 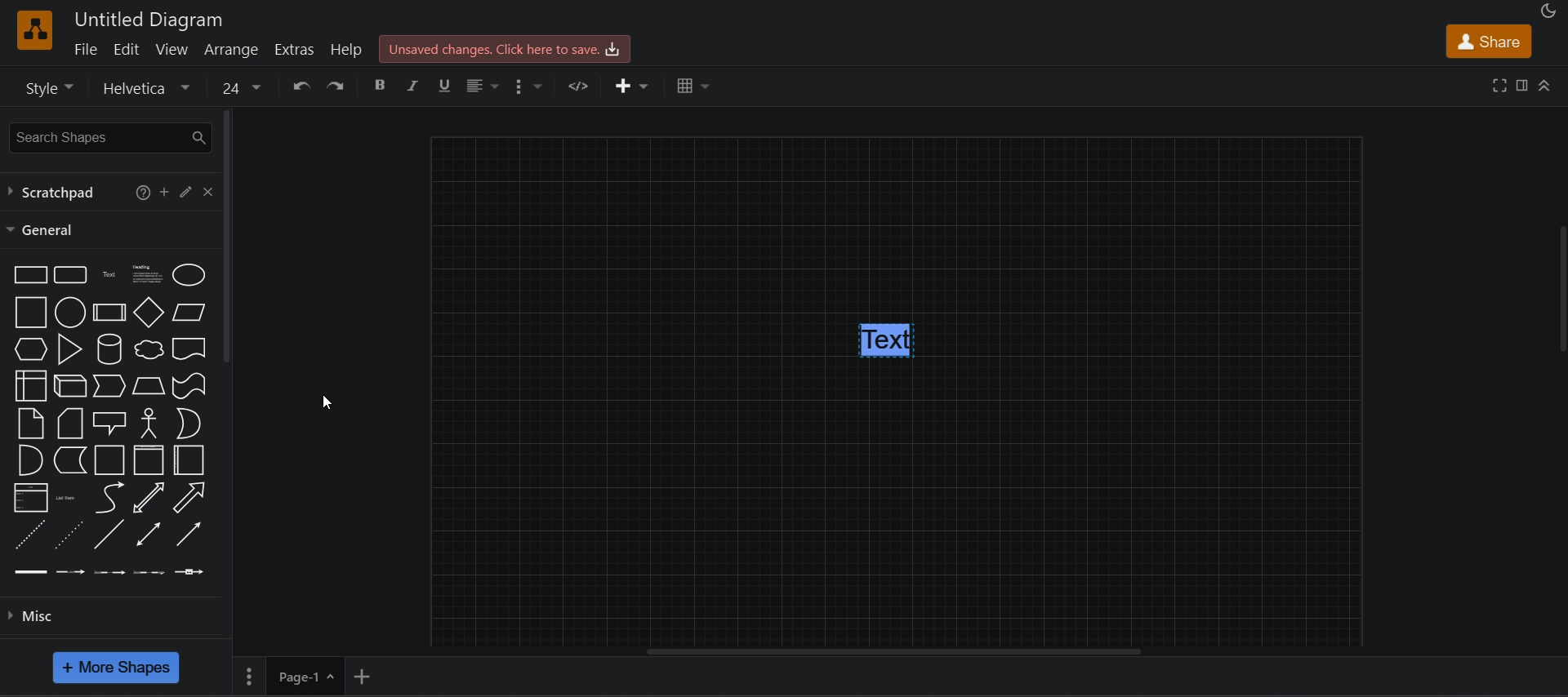 I want to click on Connector with 3 labels, so click(x=149, y=573).